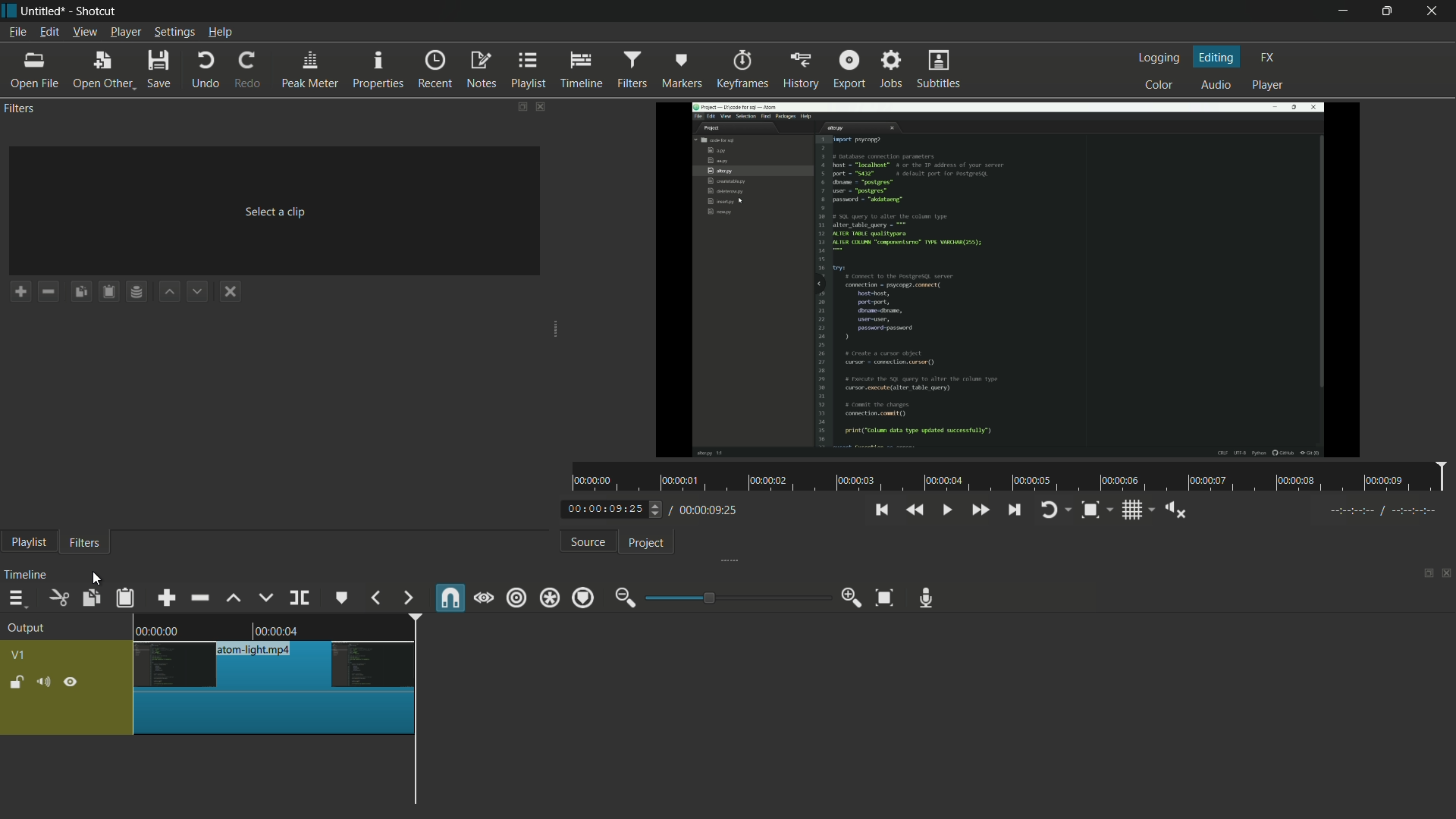 The width and height of the screenshot is (1456, 819). What do you see at coordinates (1390, 11) in the screenshot?
I see `maximize` at bounding box center [1390, 11].